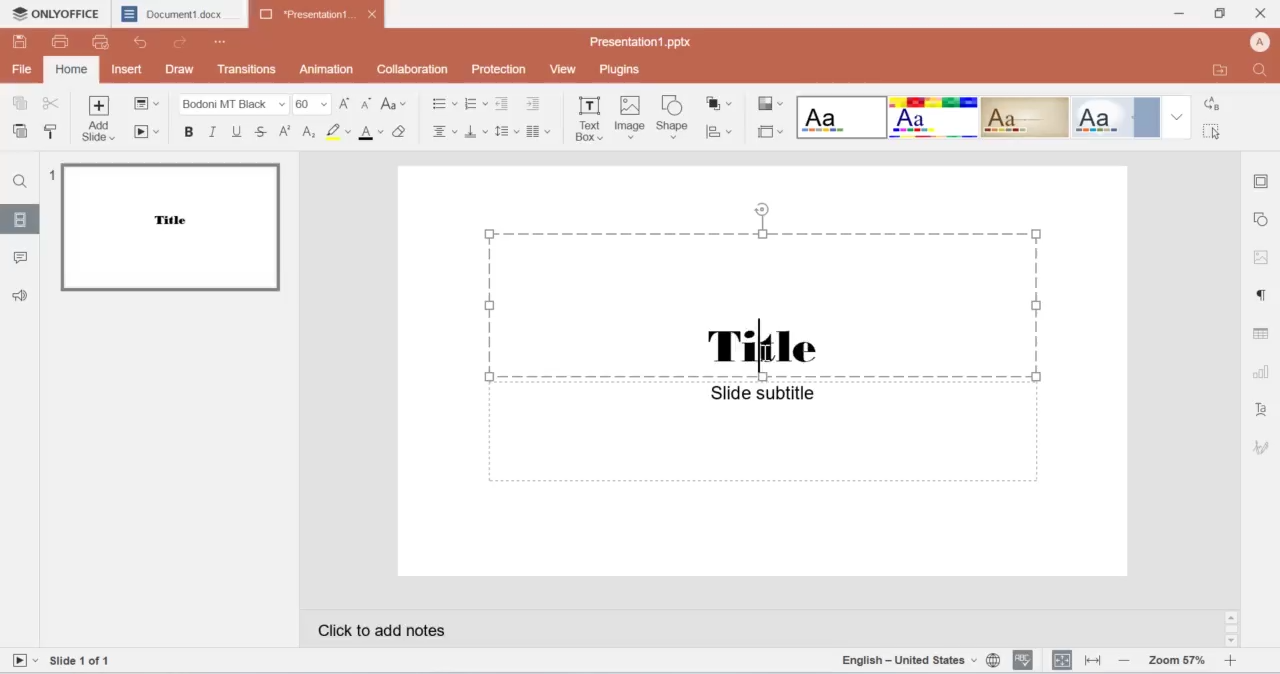 The width and height of the screenshot is (1280, 674). I want to click on image, so click(629, 119).